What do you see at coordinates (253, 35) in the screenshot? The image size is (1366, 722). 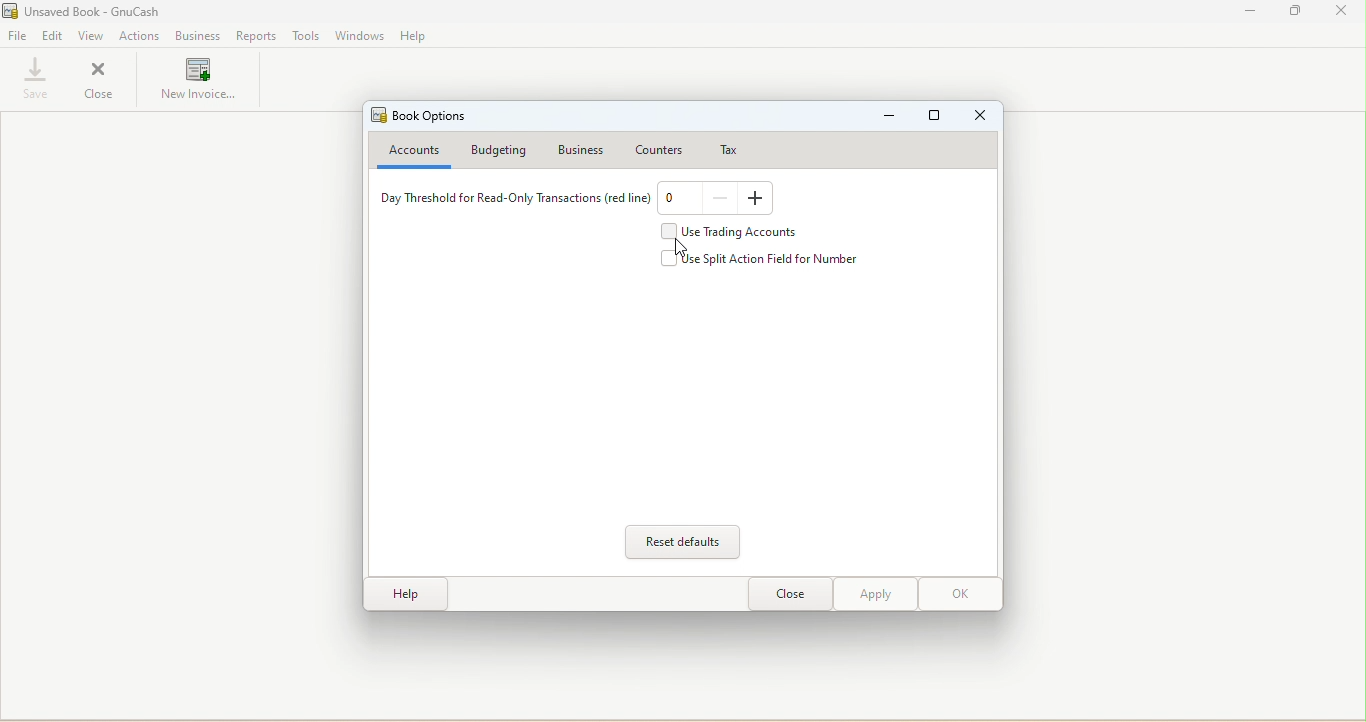 I see `Reports` at bounding box center [253, 35].